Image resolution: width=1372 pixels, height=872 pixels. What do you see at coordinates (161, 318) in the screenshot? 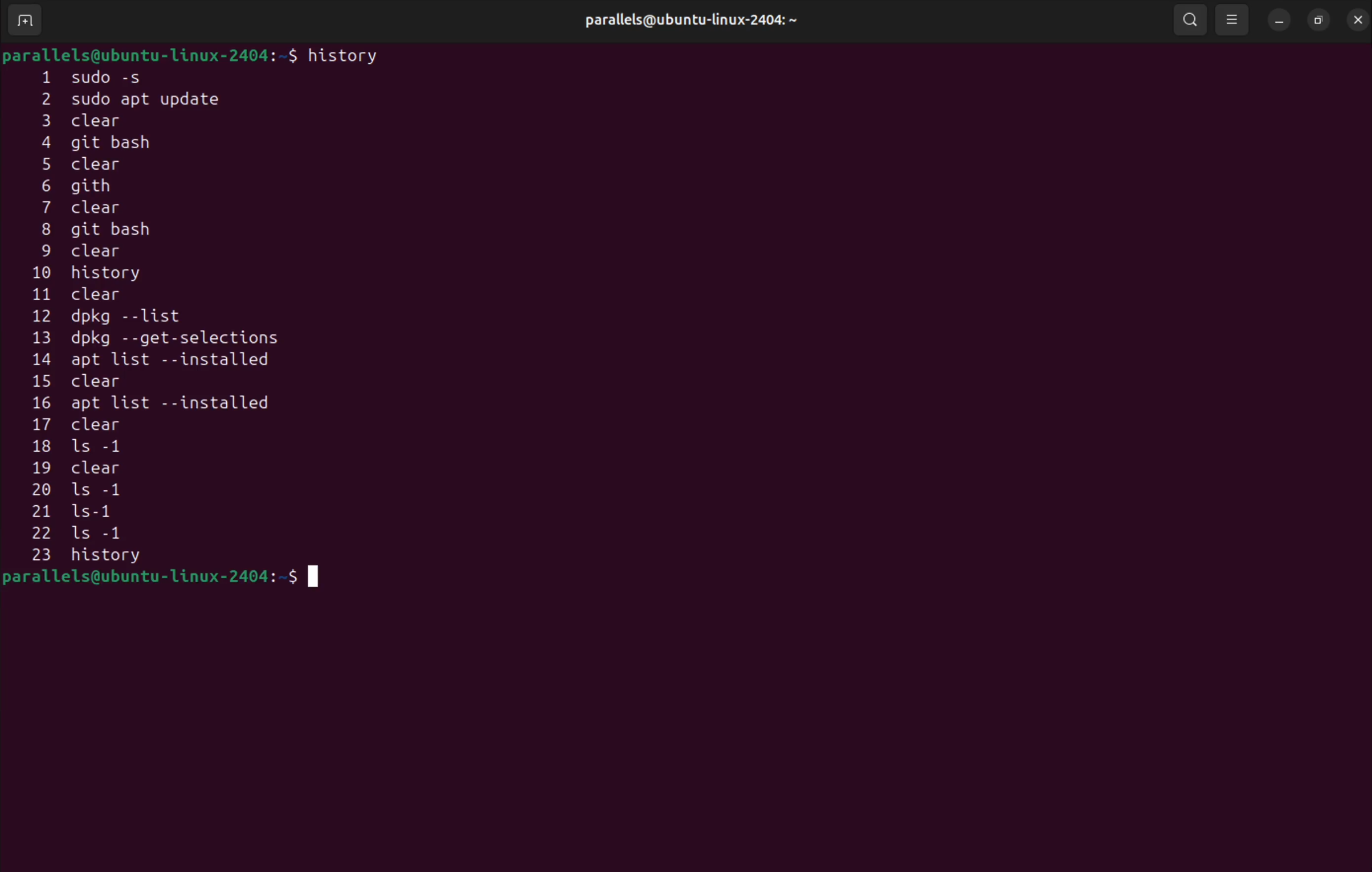
I see `12 dpkg list` at bounding box center [161, 318].